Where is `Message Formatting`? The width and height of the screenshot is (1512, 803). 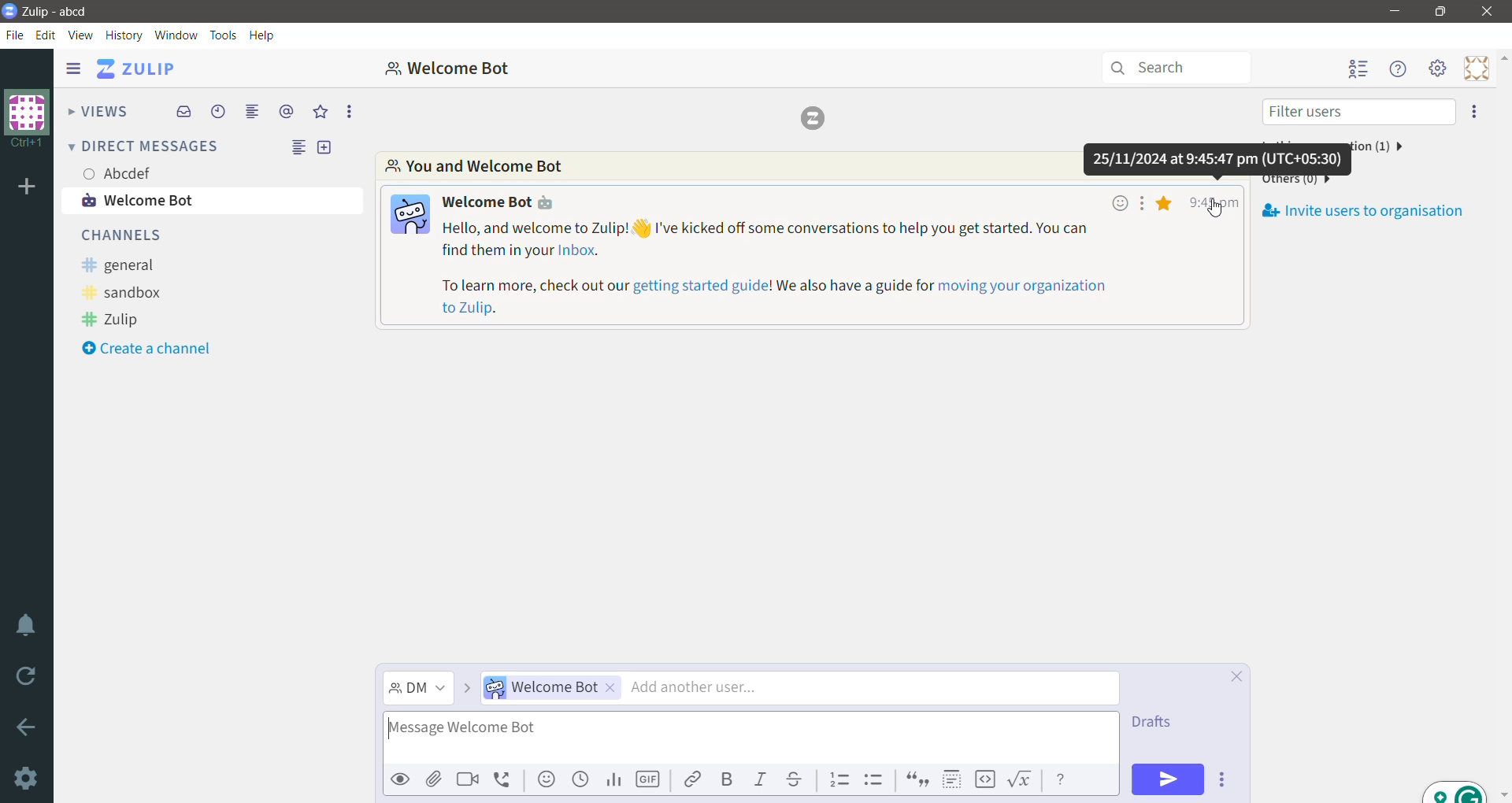 Message Formatting is located at coordinates (1062, 779).